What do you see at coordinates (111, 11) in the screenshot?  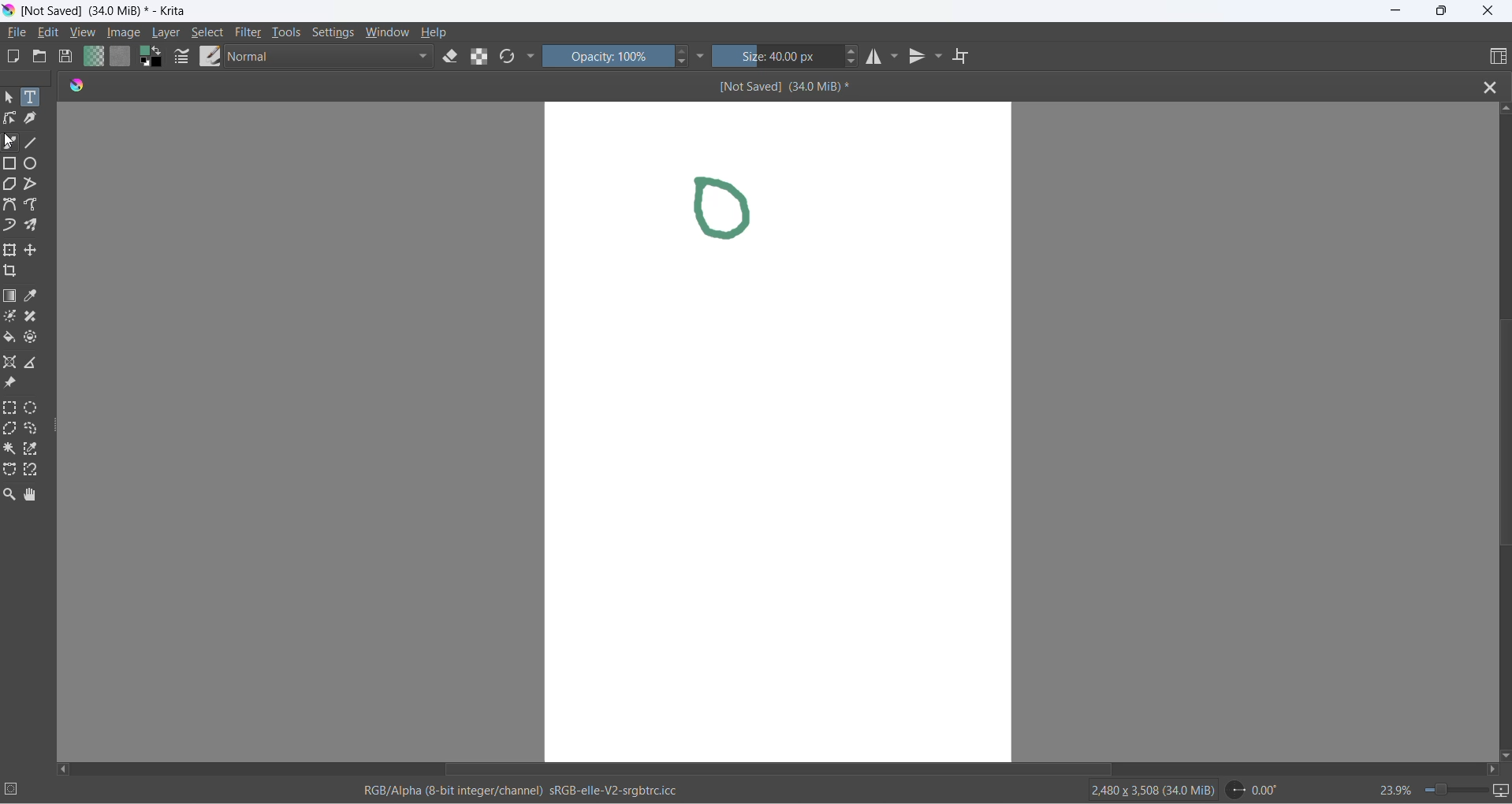 I see `[Not Saved] (340 MiB)* - Krita` at bounding box center [111, 11].